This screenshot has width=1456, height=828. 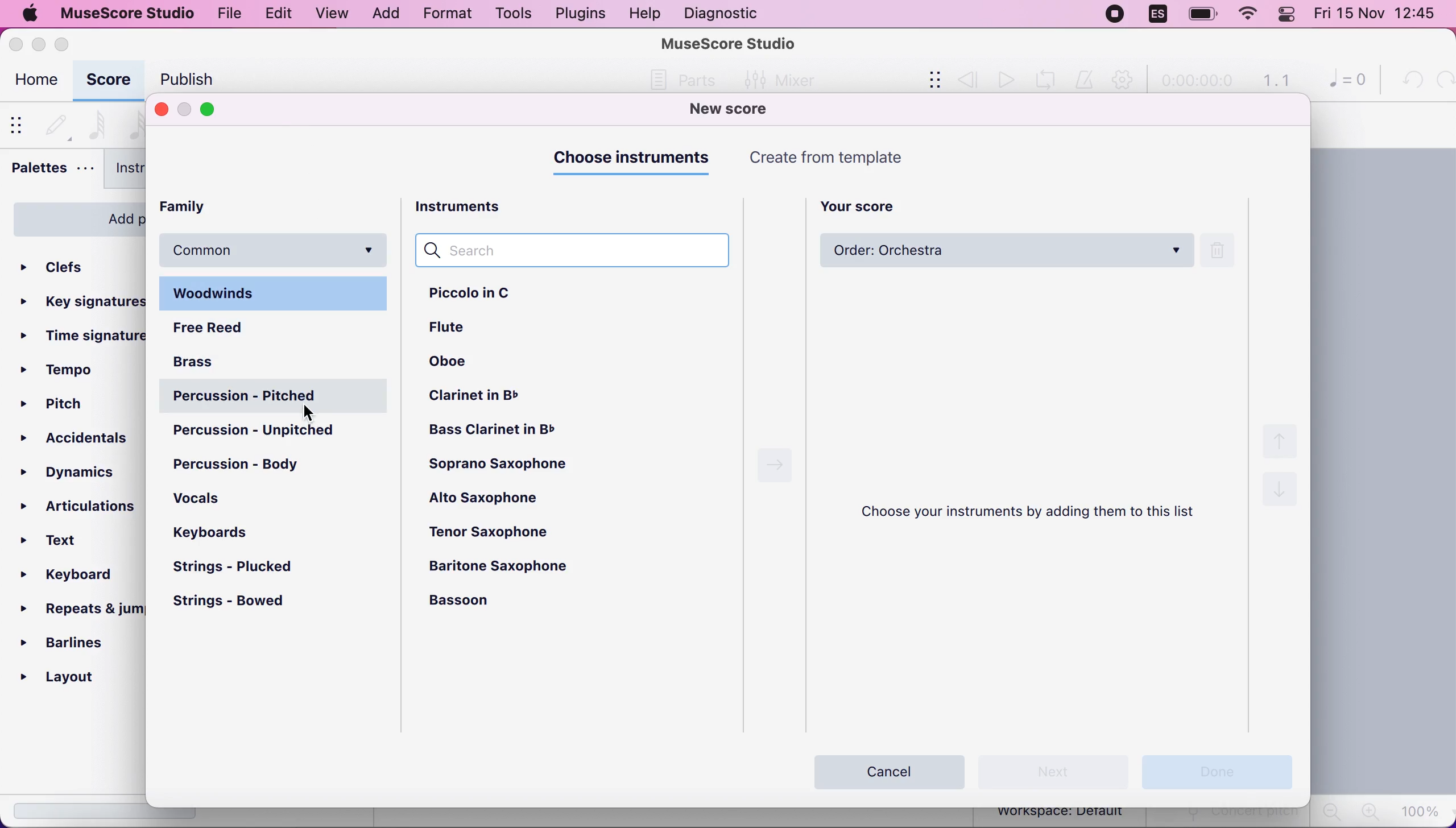 I want to click on maximize, so click(x=67, y=44).